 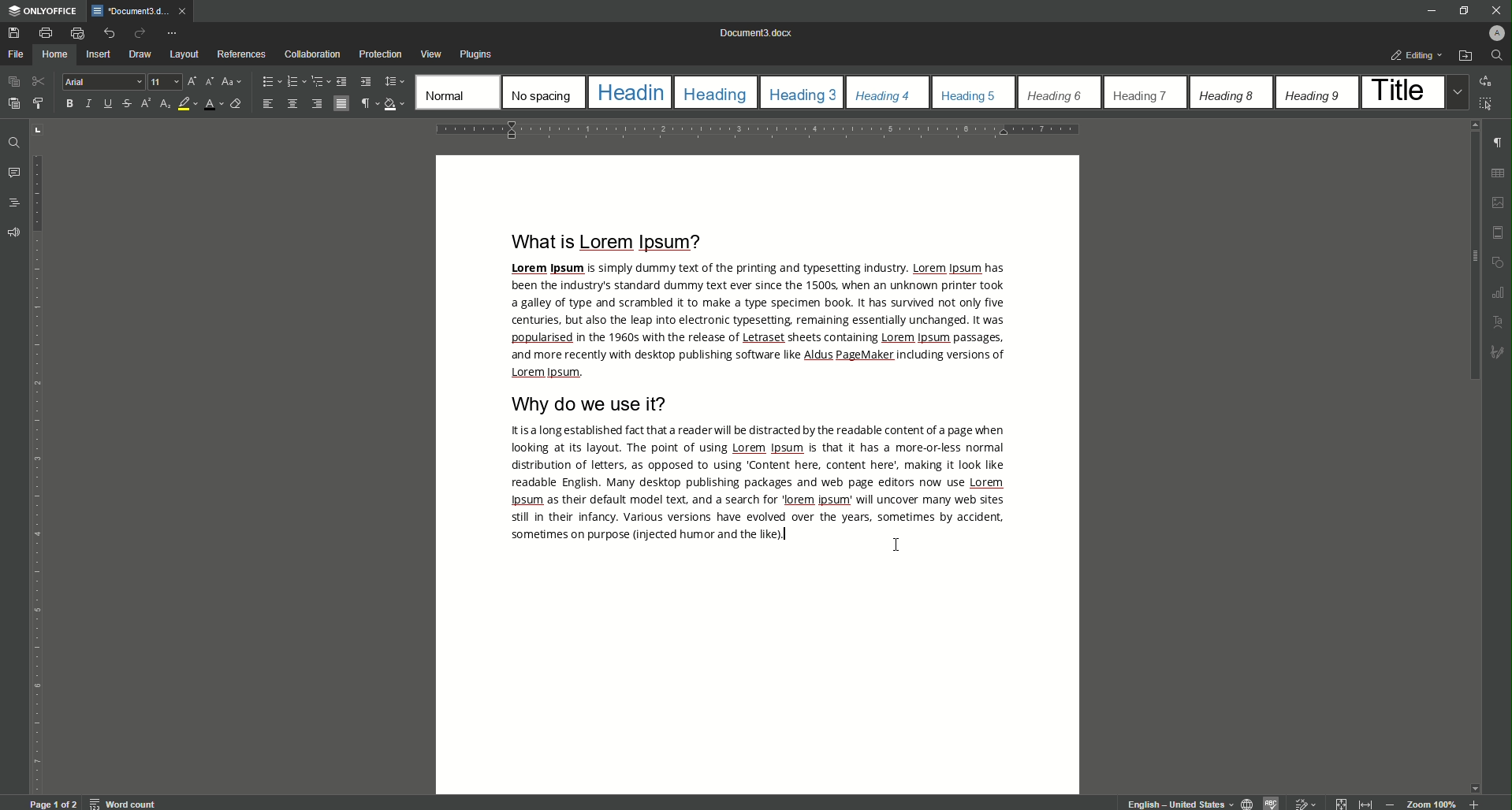 What do you see at coordinates (1454, 92) in the screenshot?
I see `Drop down` at bounding box center [1454, 92].